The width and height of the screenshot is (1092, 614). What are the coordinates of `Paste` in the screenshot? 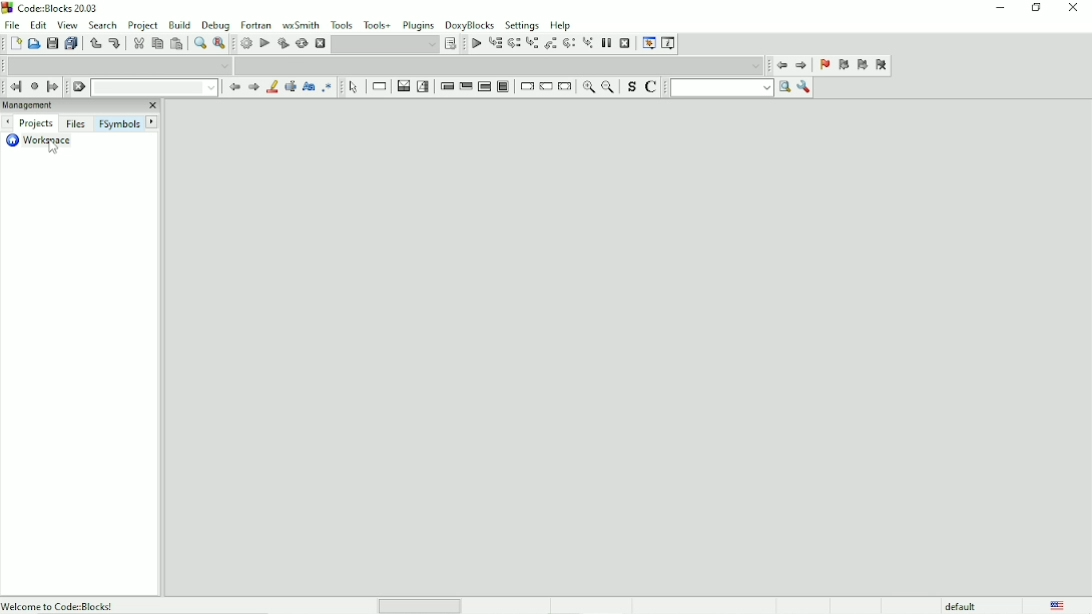 It's located at (176, 44).